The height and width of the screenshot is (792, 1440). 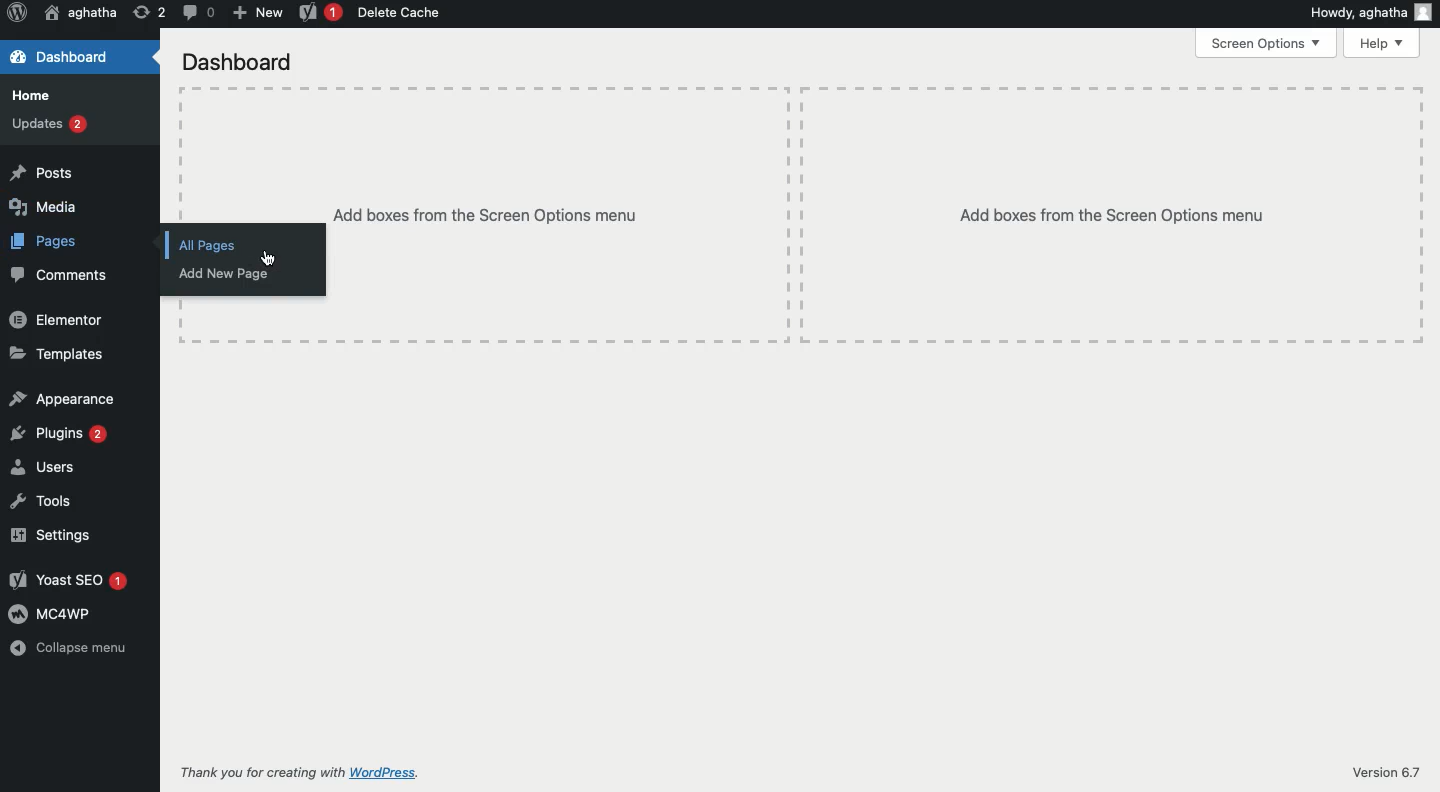 What do you see at coordinates (29, 96) in the screenshot?
I see `Home` at bounding box center [29, 96].